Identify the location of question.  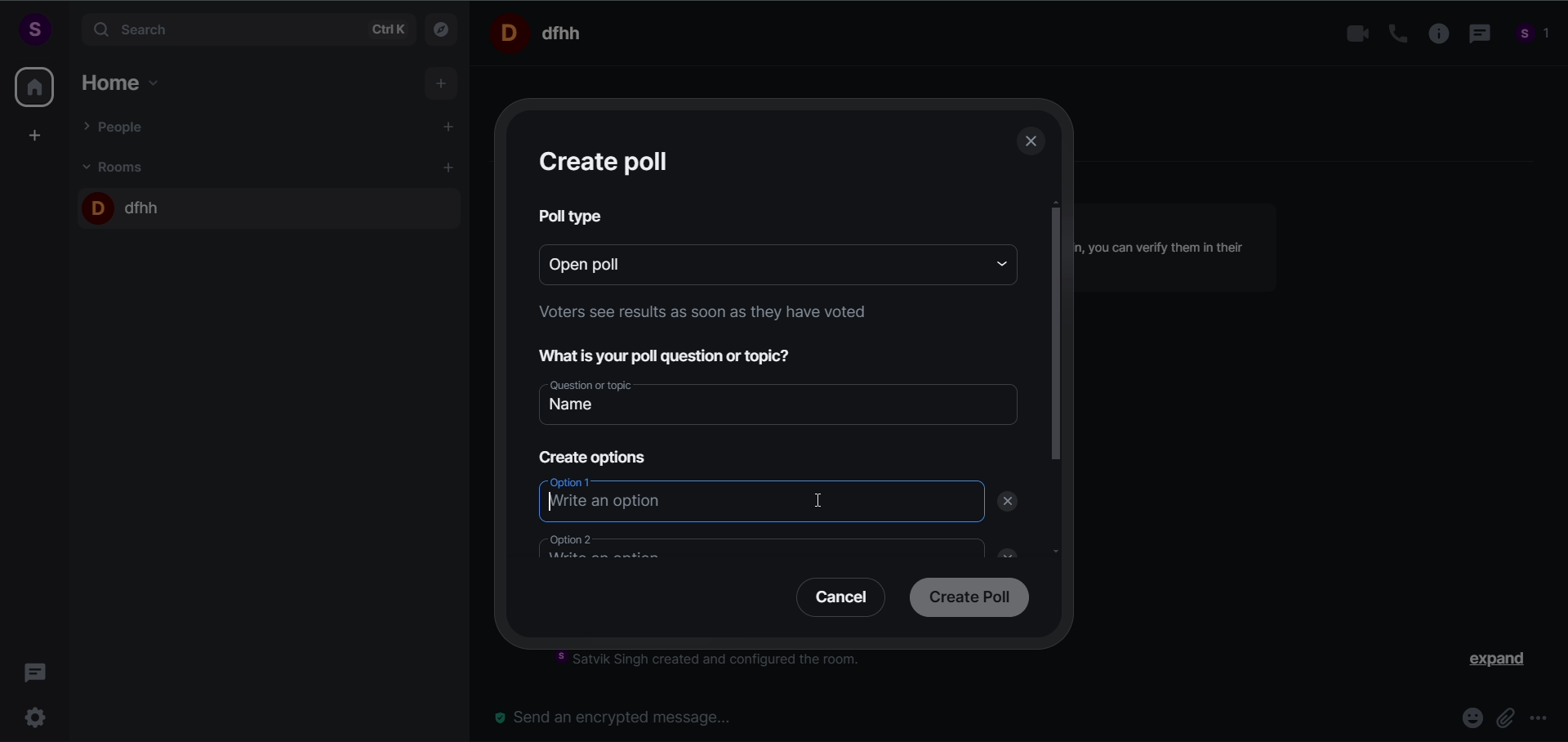
(676, 354).